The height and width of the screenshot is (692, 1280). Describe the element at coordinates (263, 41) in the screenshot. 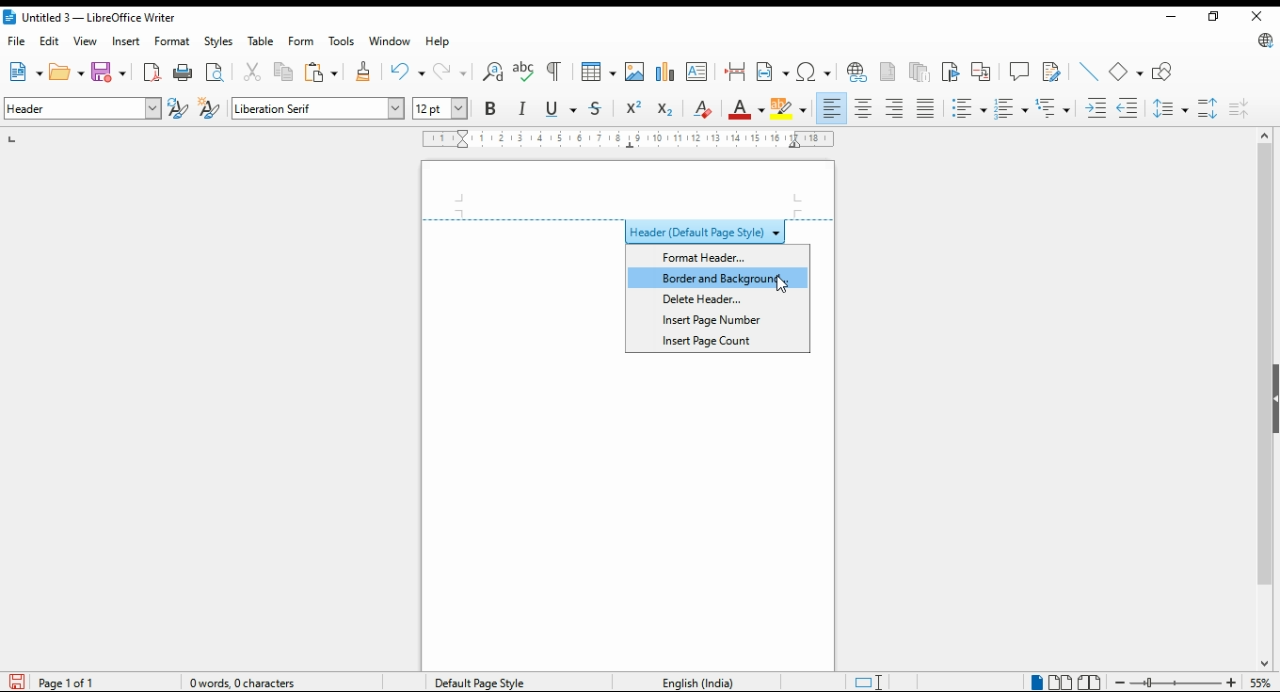

I see `table` at that location.